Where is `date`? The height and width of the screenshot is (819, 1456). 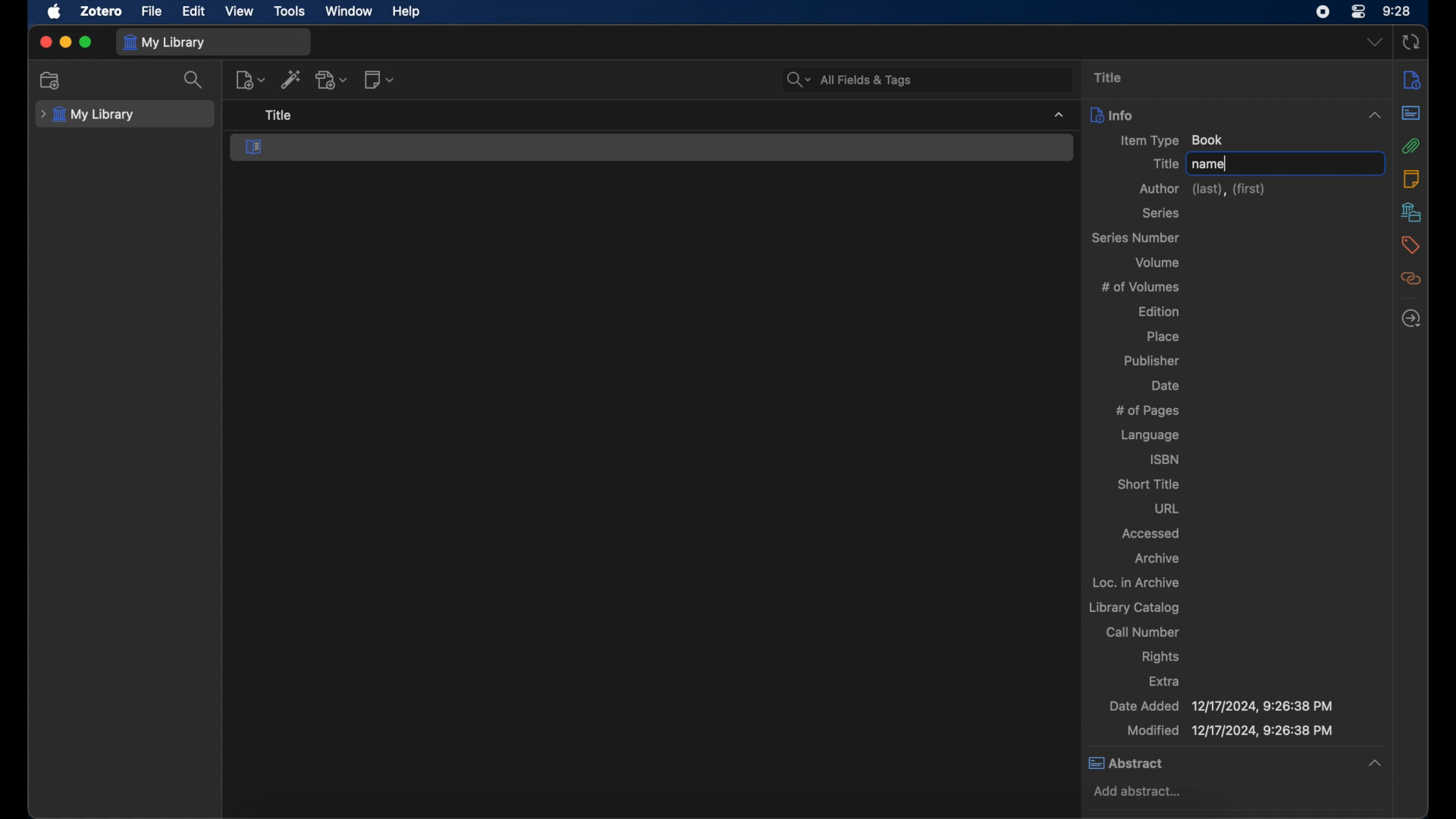
date is located at coordinates (1166, 384).